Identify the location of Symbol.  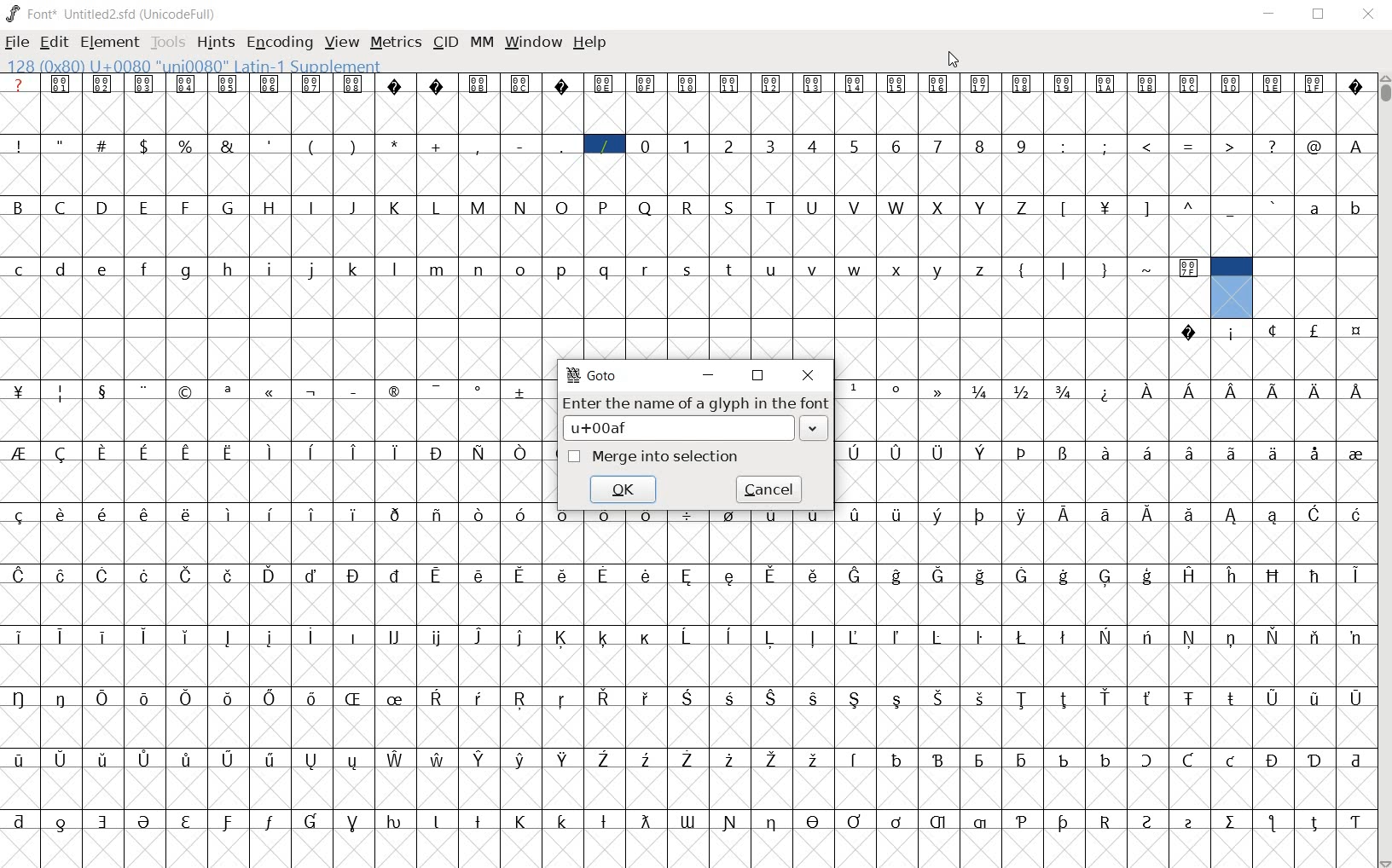
(312, 84).